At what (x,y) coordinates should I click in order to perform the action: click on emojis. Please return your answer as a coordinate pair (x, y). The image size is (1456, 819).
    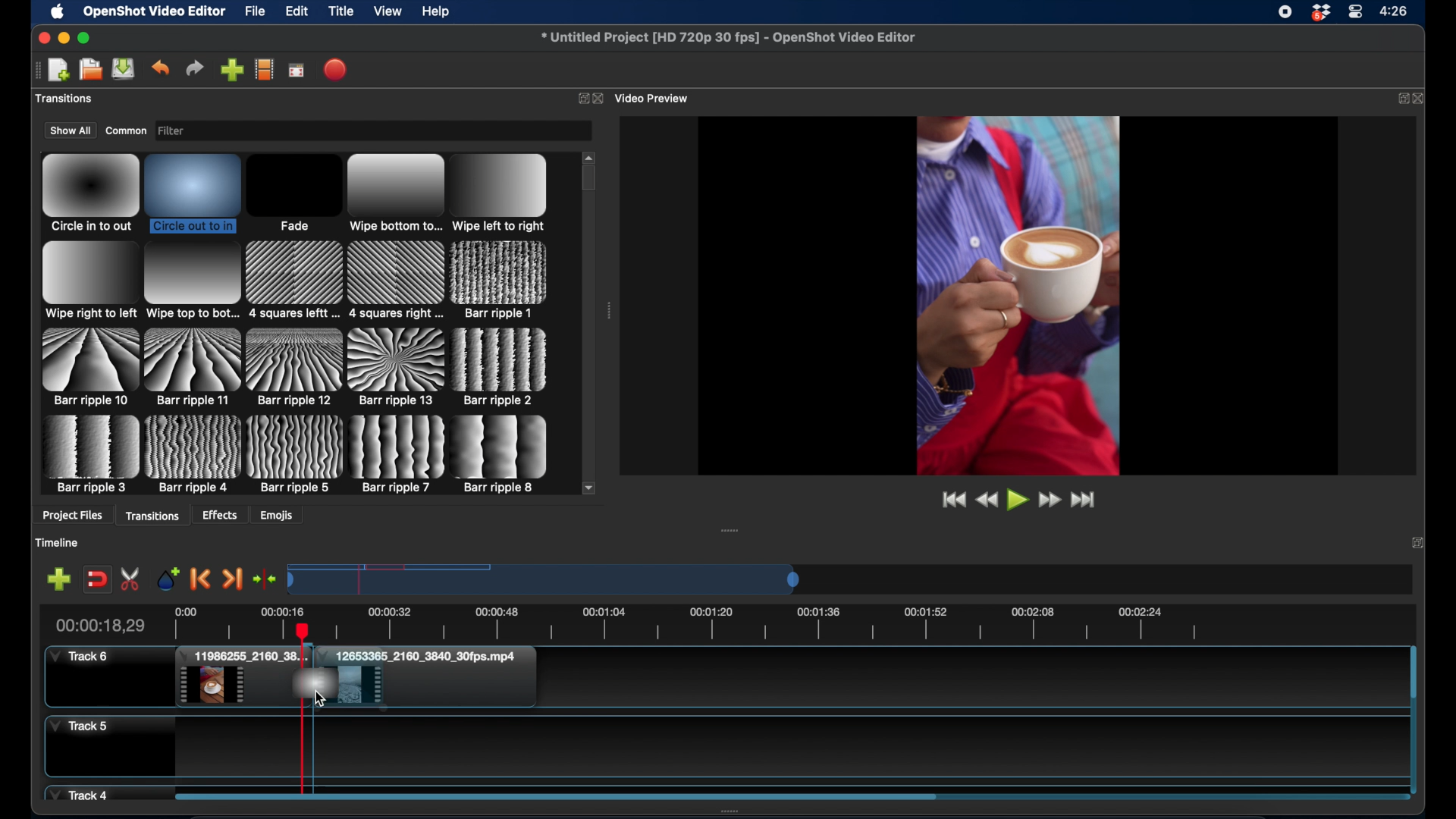
    Looking at the image, I should click on (277, 515).